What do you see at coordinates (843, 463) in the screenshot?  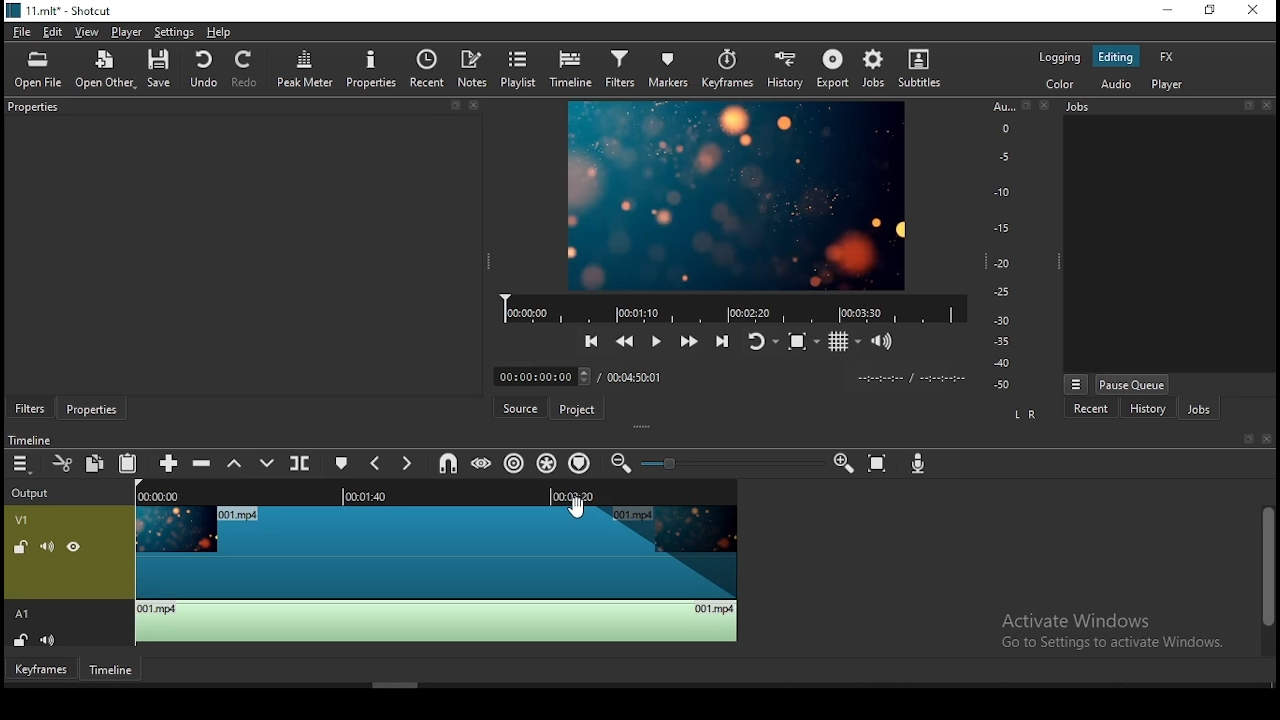 I see `zoom timeline` at bounding box center [843, 463].